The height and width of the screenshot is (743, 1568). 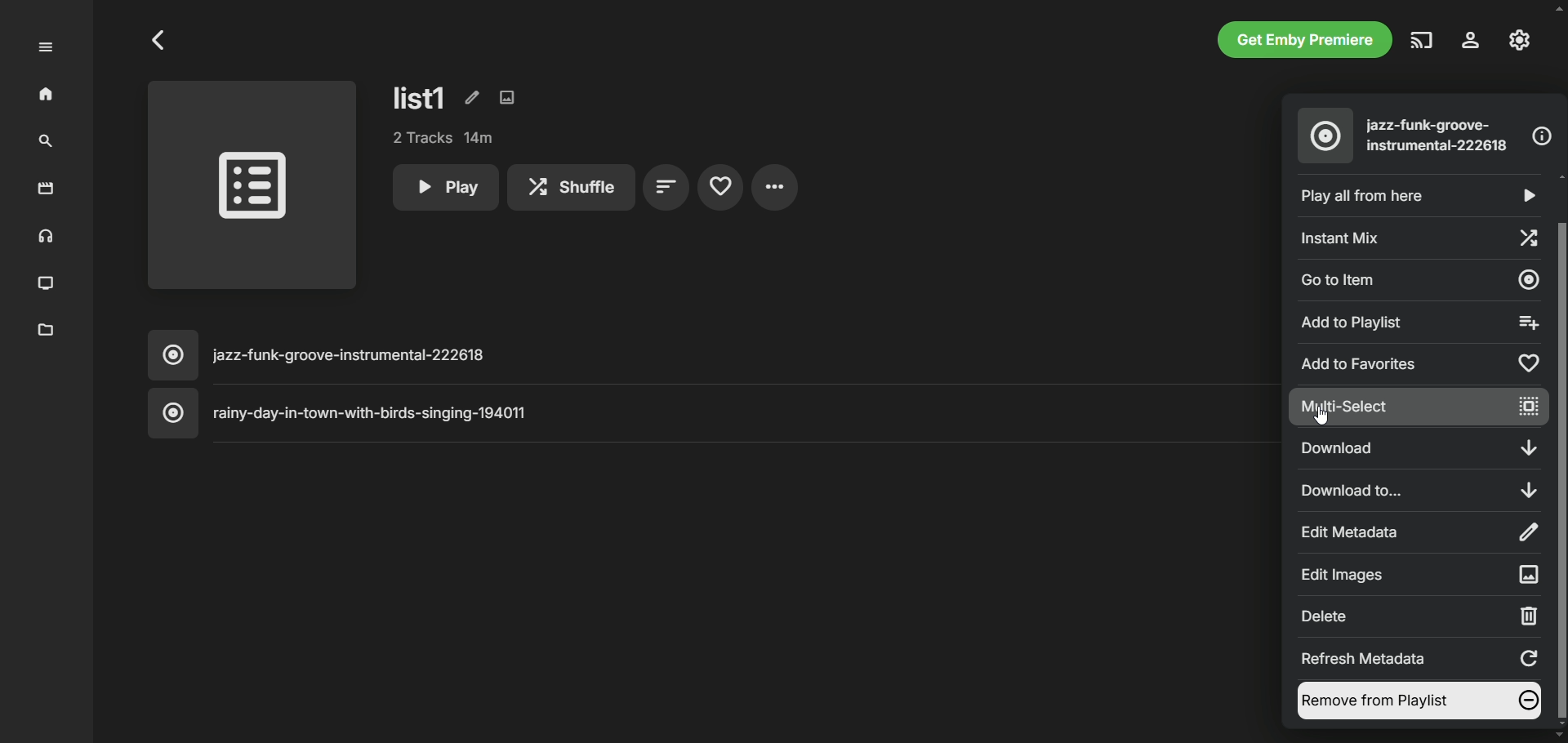 What do you see at coordinates (1472, 40) in the screenshot?
I see `settings` at bounding box center [1472, 40].